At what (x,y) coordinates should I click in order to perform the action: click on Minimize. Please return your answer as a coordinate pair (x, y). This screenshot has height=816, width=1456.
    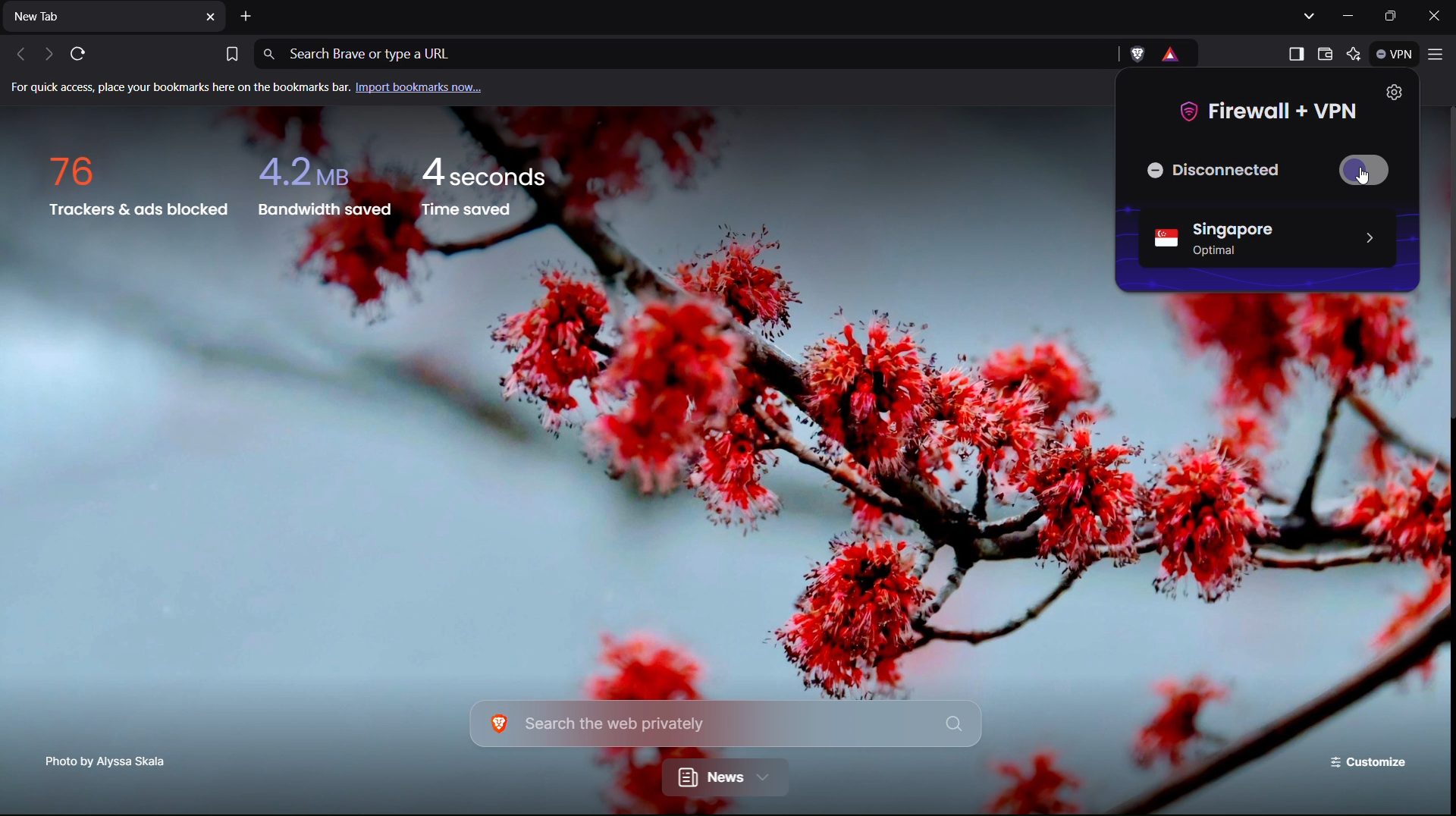
    Looking at the image, I should click on (1357, 17).